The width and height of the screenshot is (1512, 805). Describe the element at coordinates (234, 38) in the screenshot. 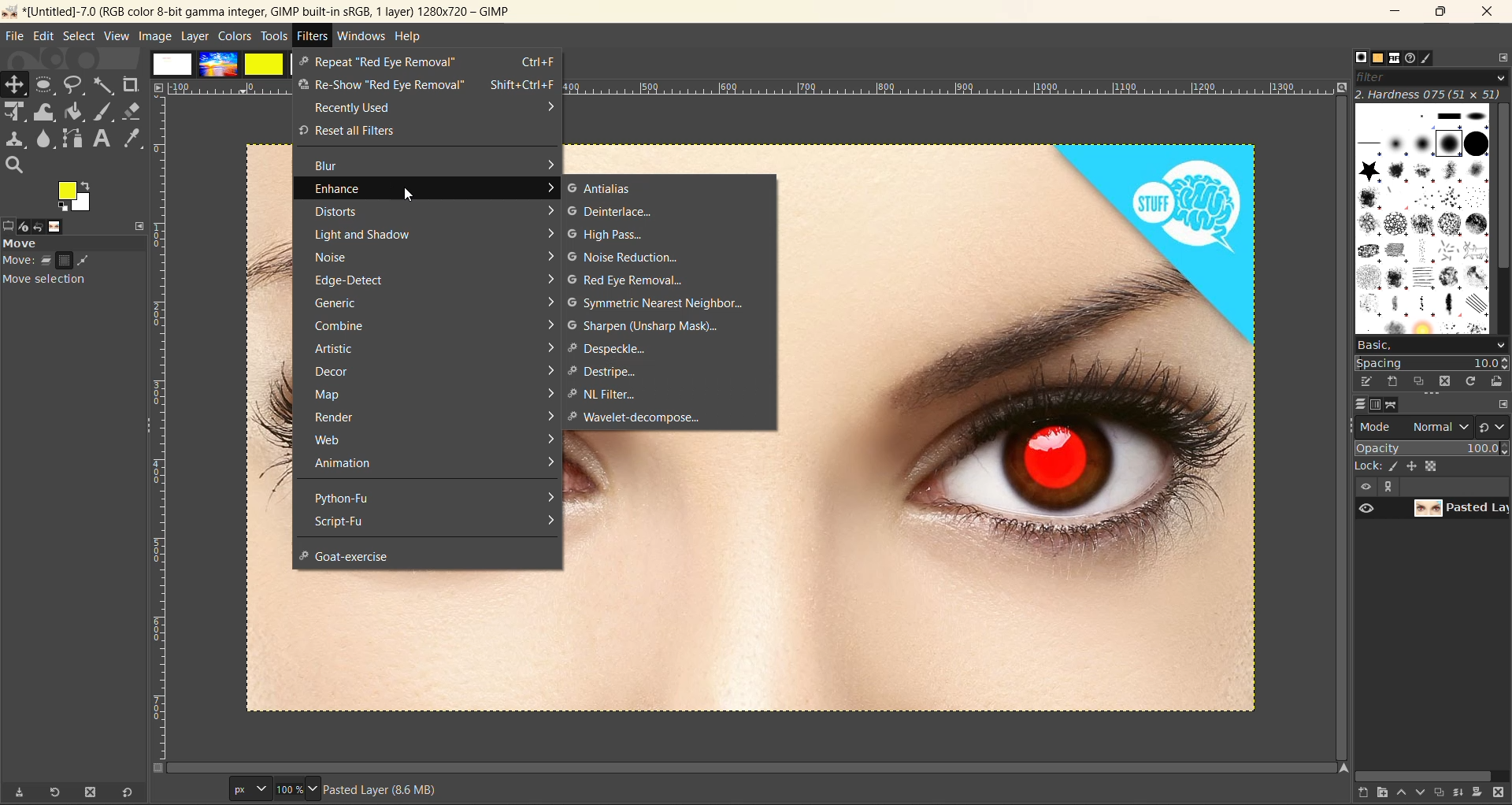

I see `colors` at that location.